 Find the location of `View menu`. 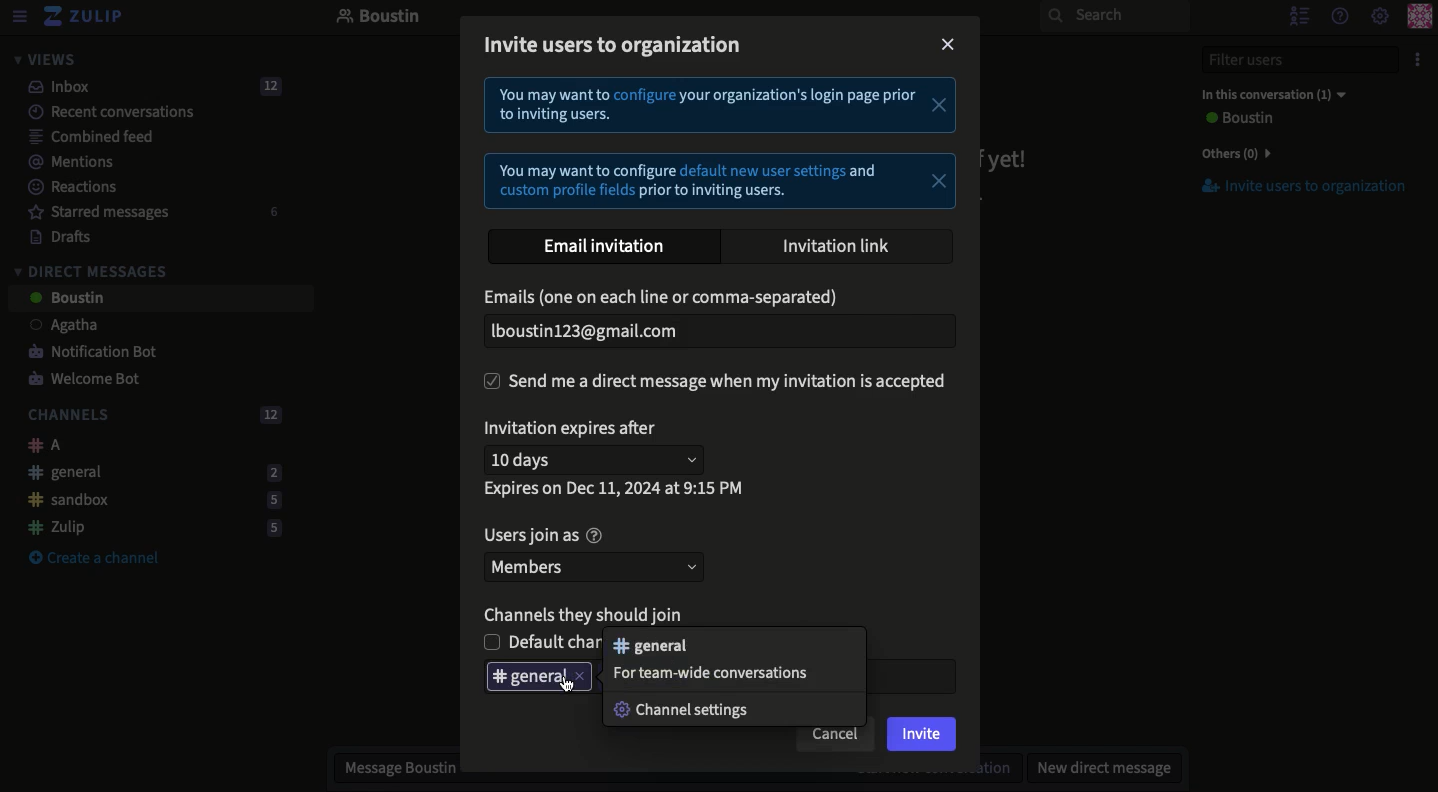

View menu is located at coordinates (18, 17).